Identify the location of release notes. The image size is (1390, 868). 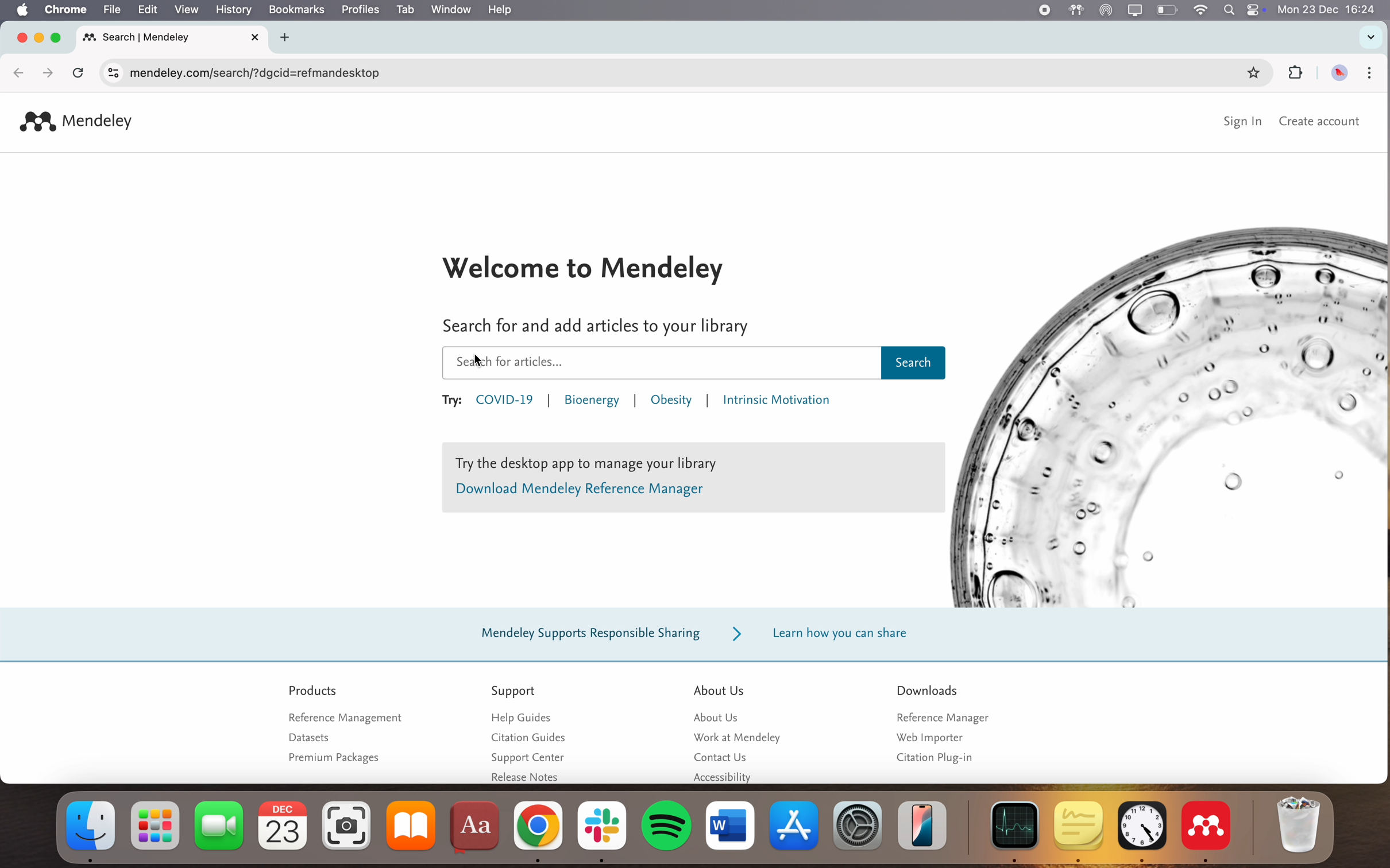
(526, 776).